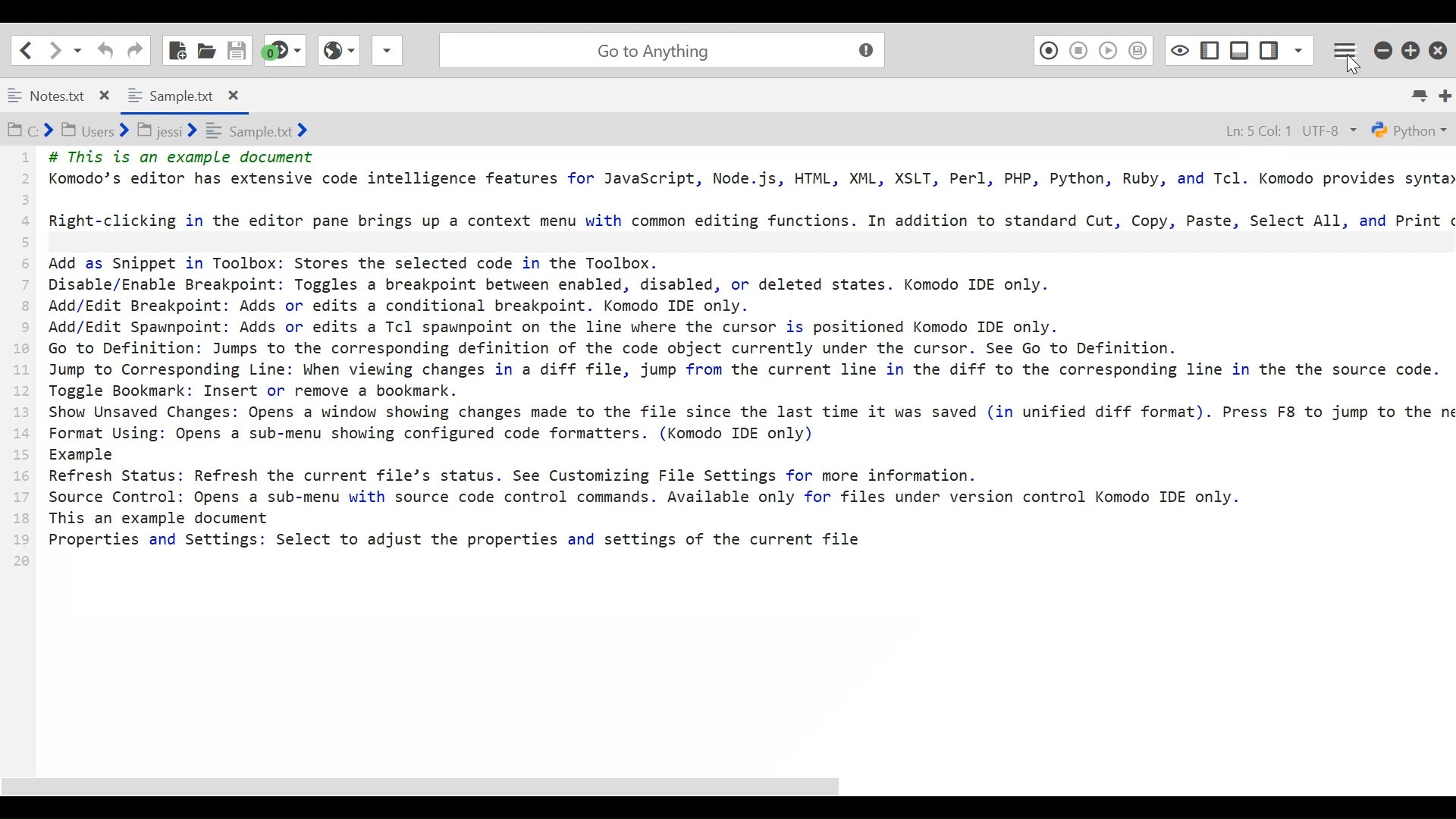 This screenshot has height=819, width=1456. I want to click on Restore, so click(1412, 51).